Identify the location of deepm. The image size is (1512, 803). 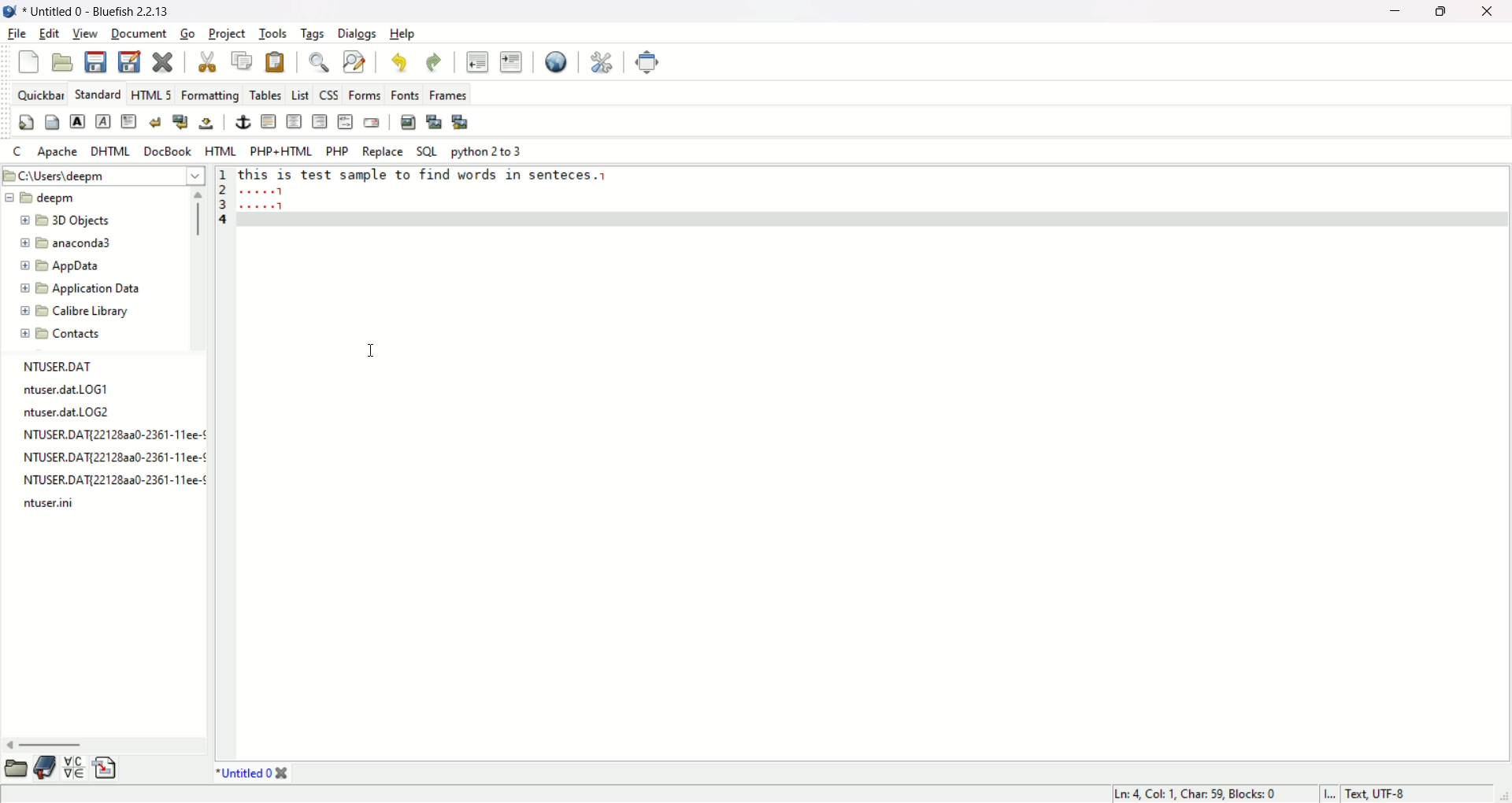
(96, 198).